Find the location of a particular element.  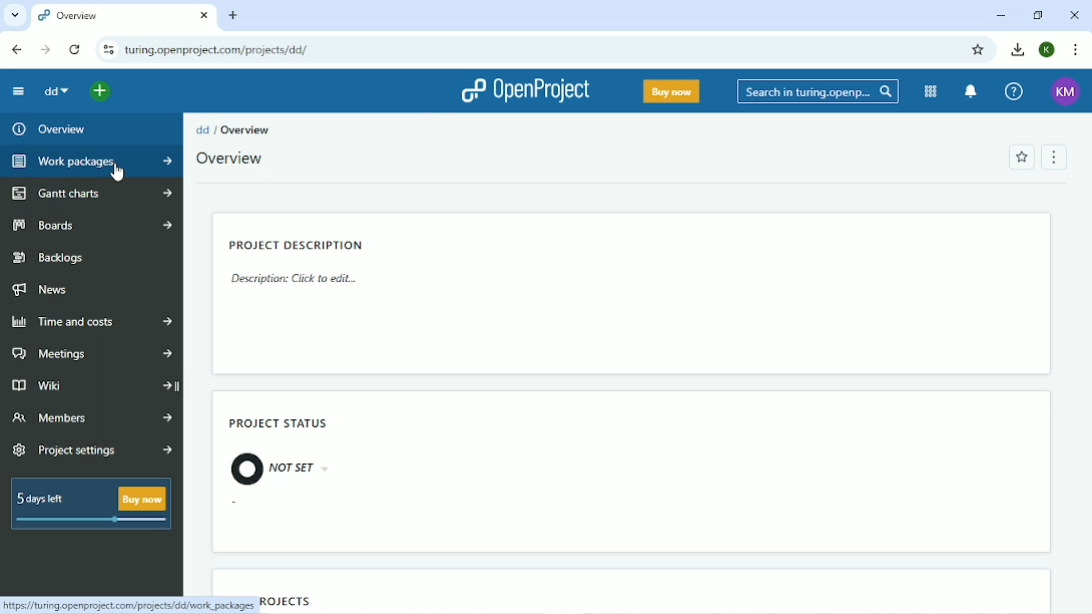

Add to favorites is located at coordinates (1022, 157).